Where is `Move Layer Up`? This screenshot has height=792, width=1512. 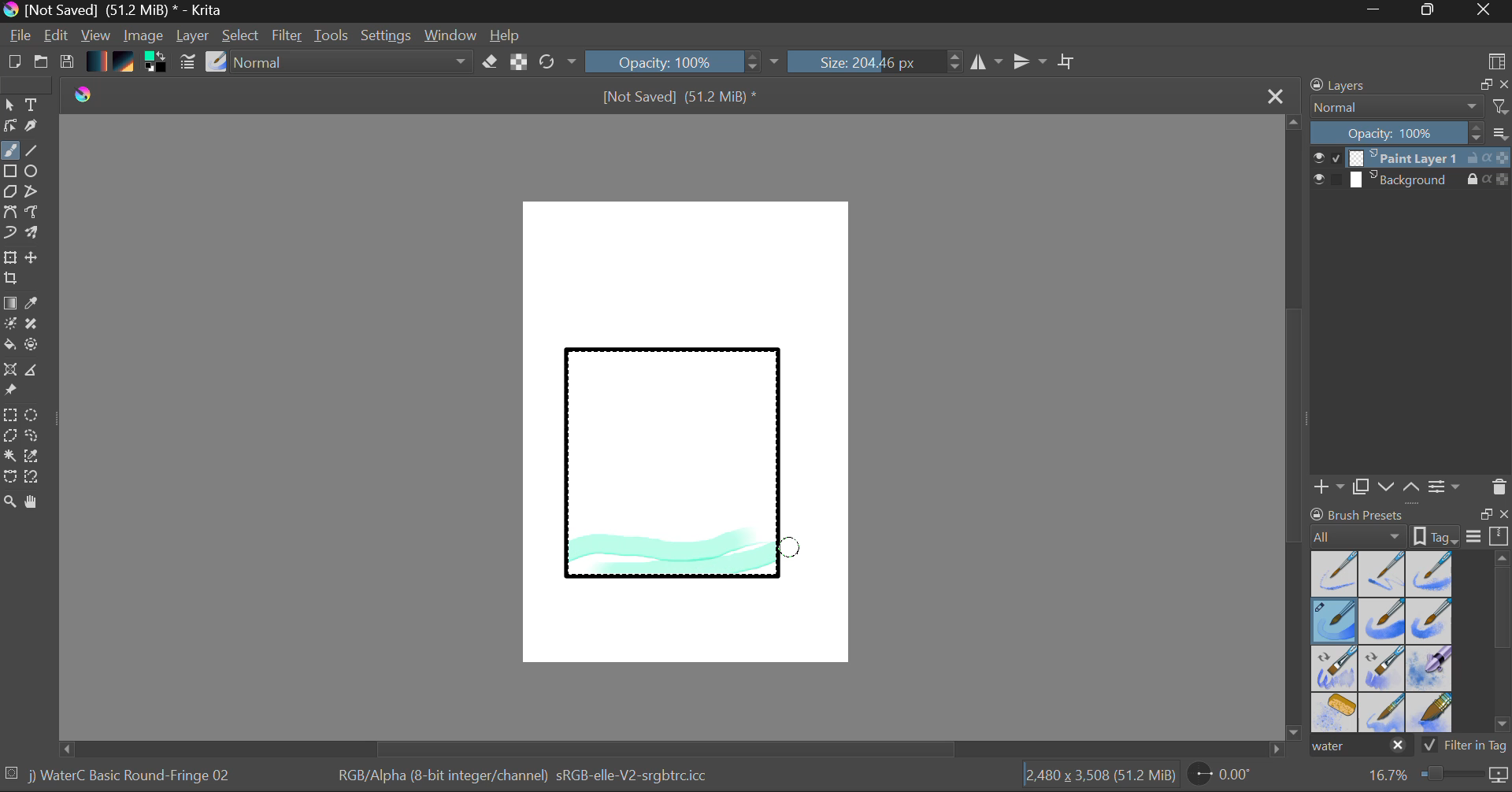
Move Layer Up is located at coordinates (1412, 486).